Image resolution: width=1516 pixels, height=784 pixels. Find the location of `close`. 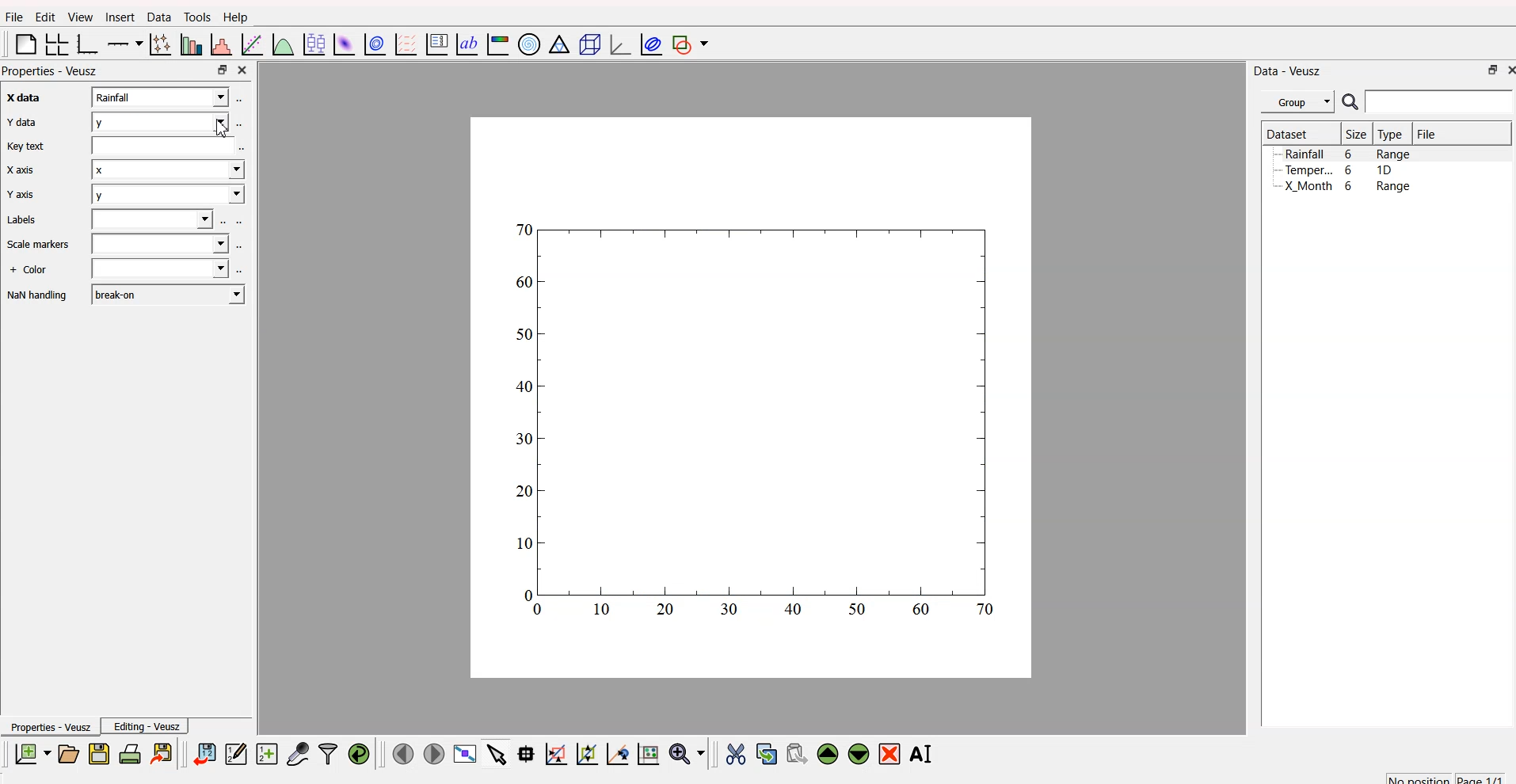

close is located at coordinates (245, 70).